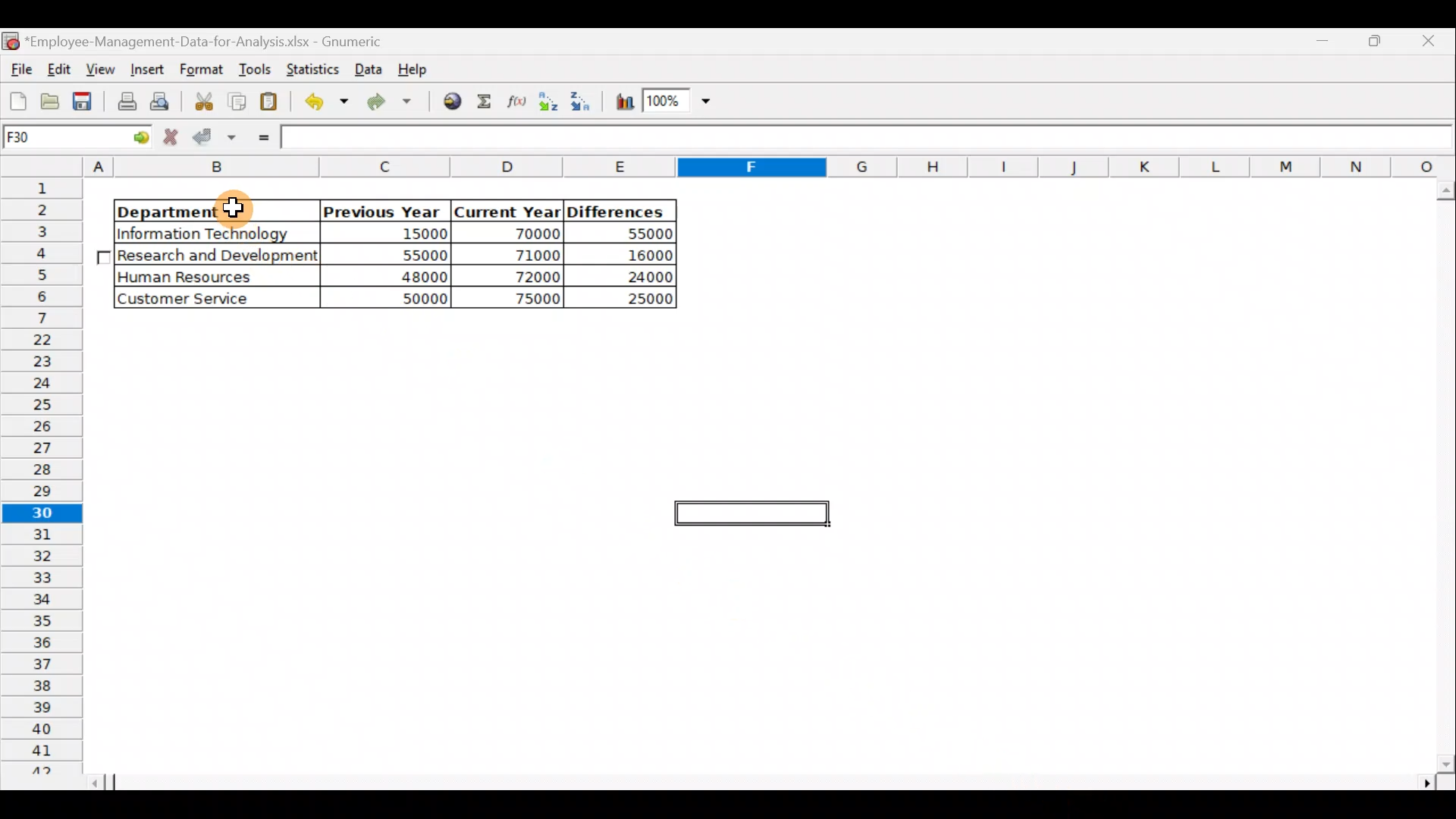 This screenshot has width=1456, height=819. What do you see at coordinates (416, 255) in the screenshot?
I see `55000` at bounding box center [416, 255].